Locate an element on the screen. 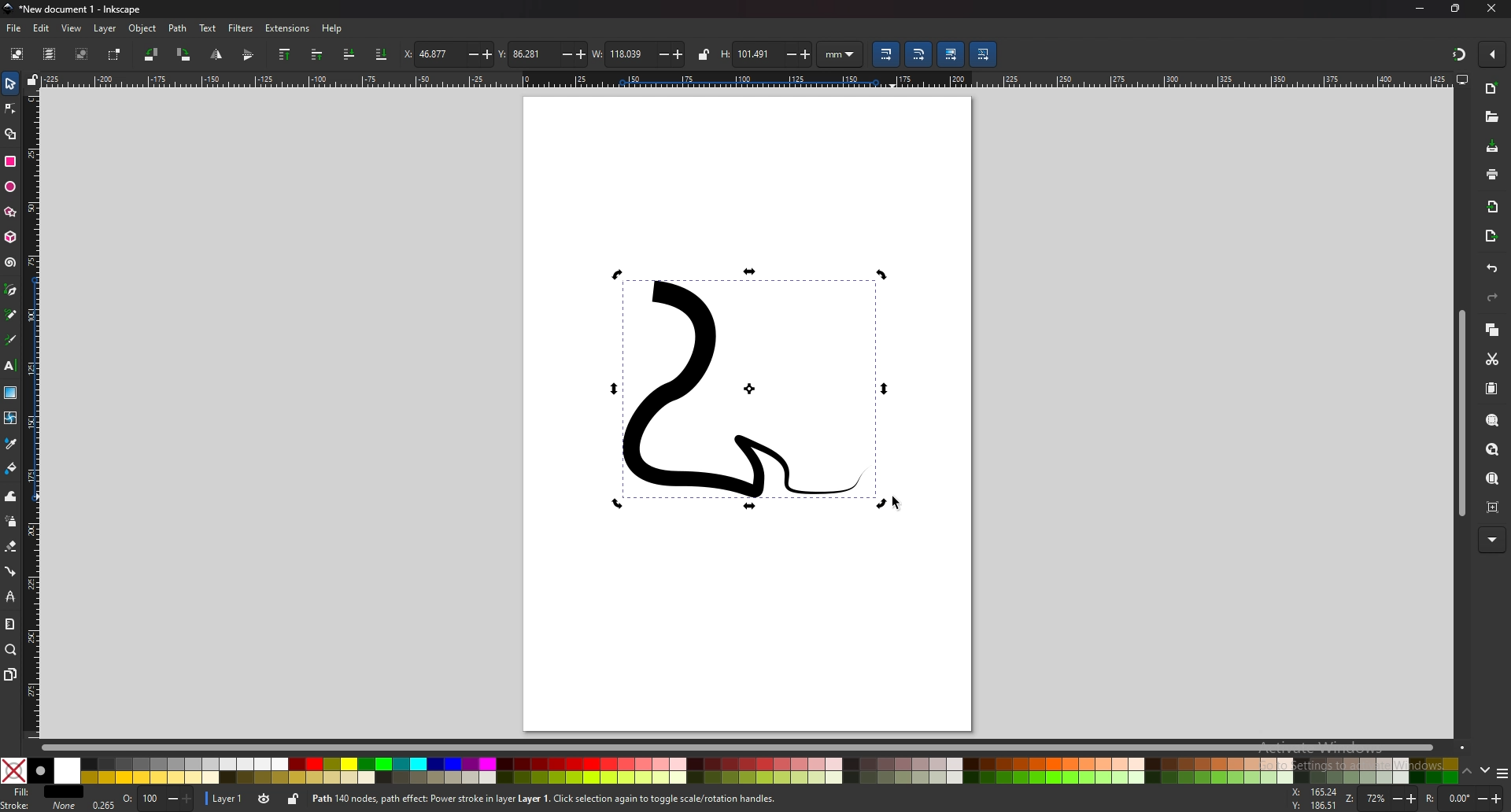 The image size is (1511, 812). spiral is located at coordinates (10, 263).